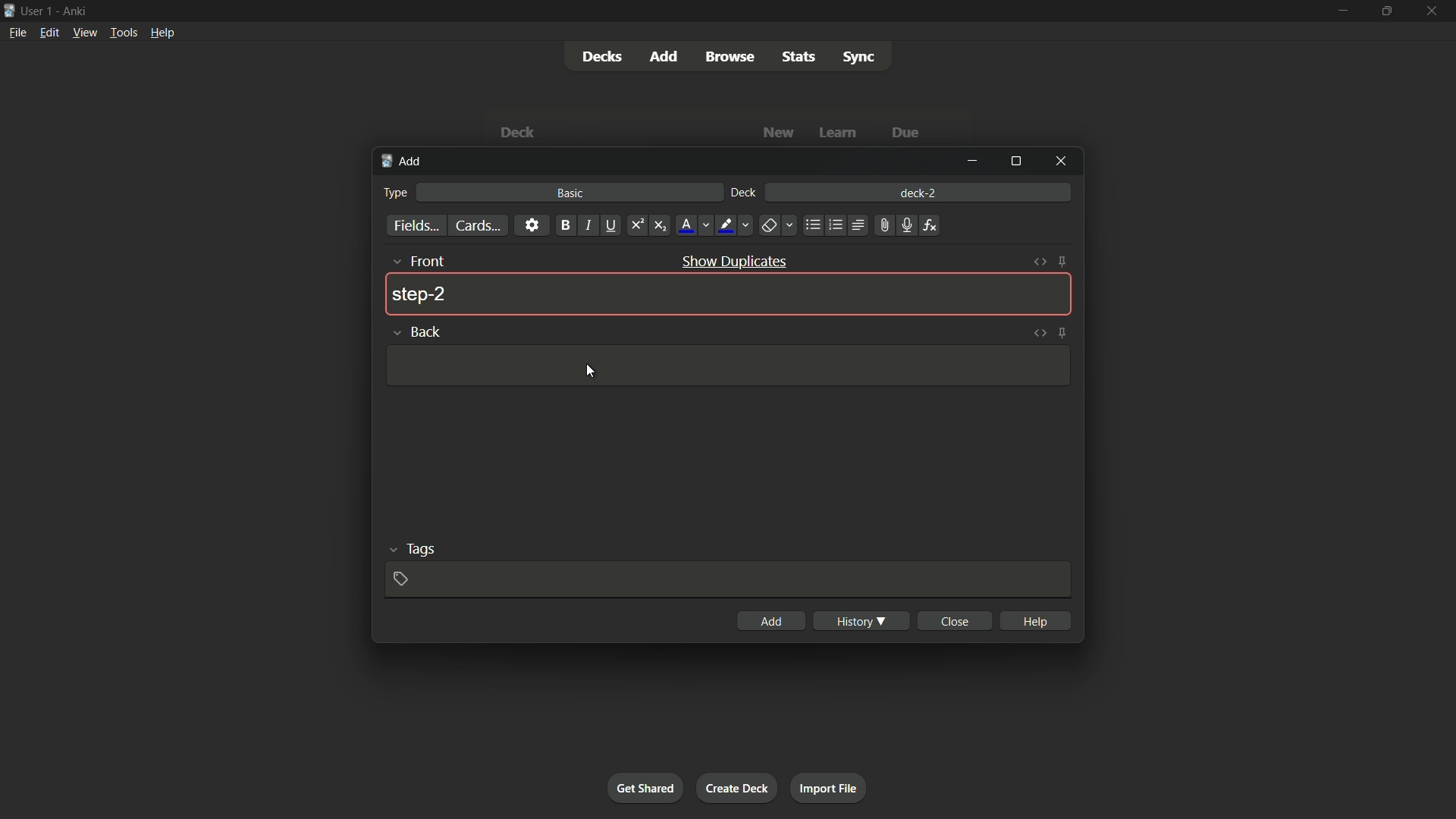  Describe the element at coordinates (903, 133) in the screenshot. I see `due` at that location.